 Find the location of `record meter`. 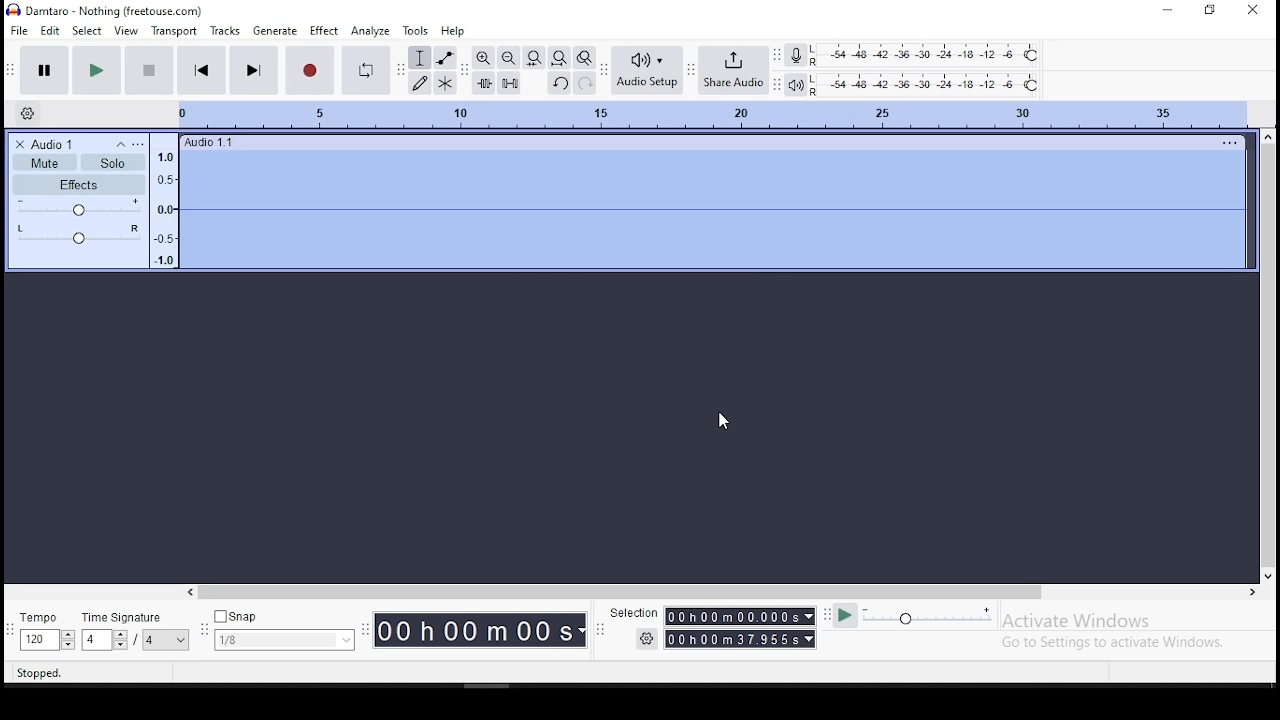

record meter is located at coordinates (796, 56).